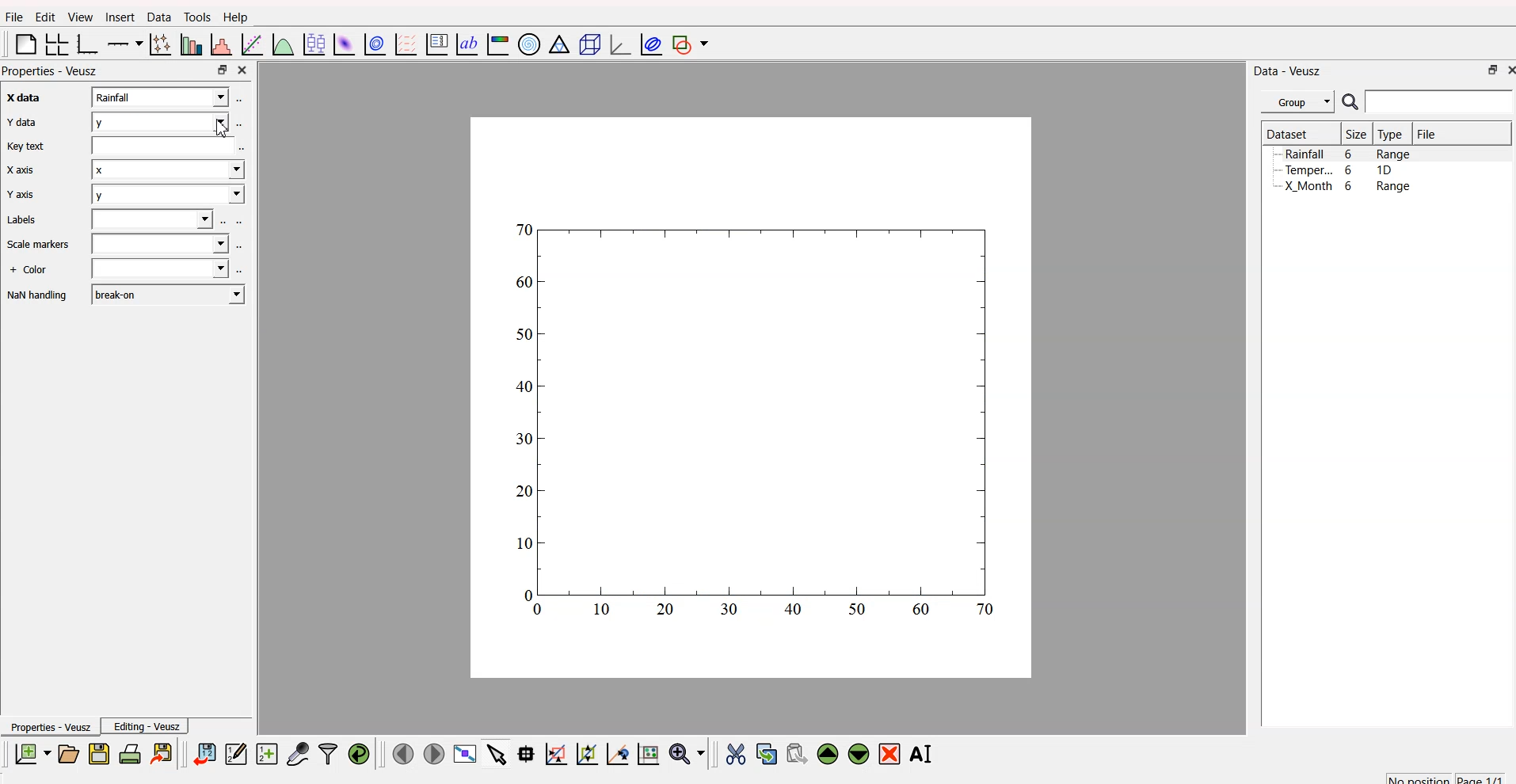 The width and height of the screenshot is (1516, 784). I want to click on field, so click(163, 244).